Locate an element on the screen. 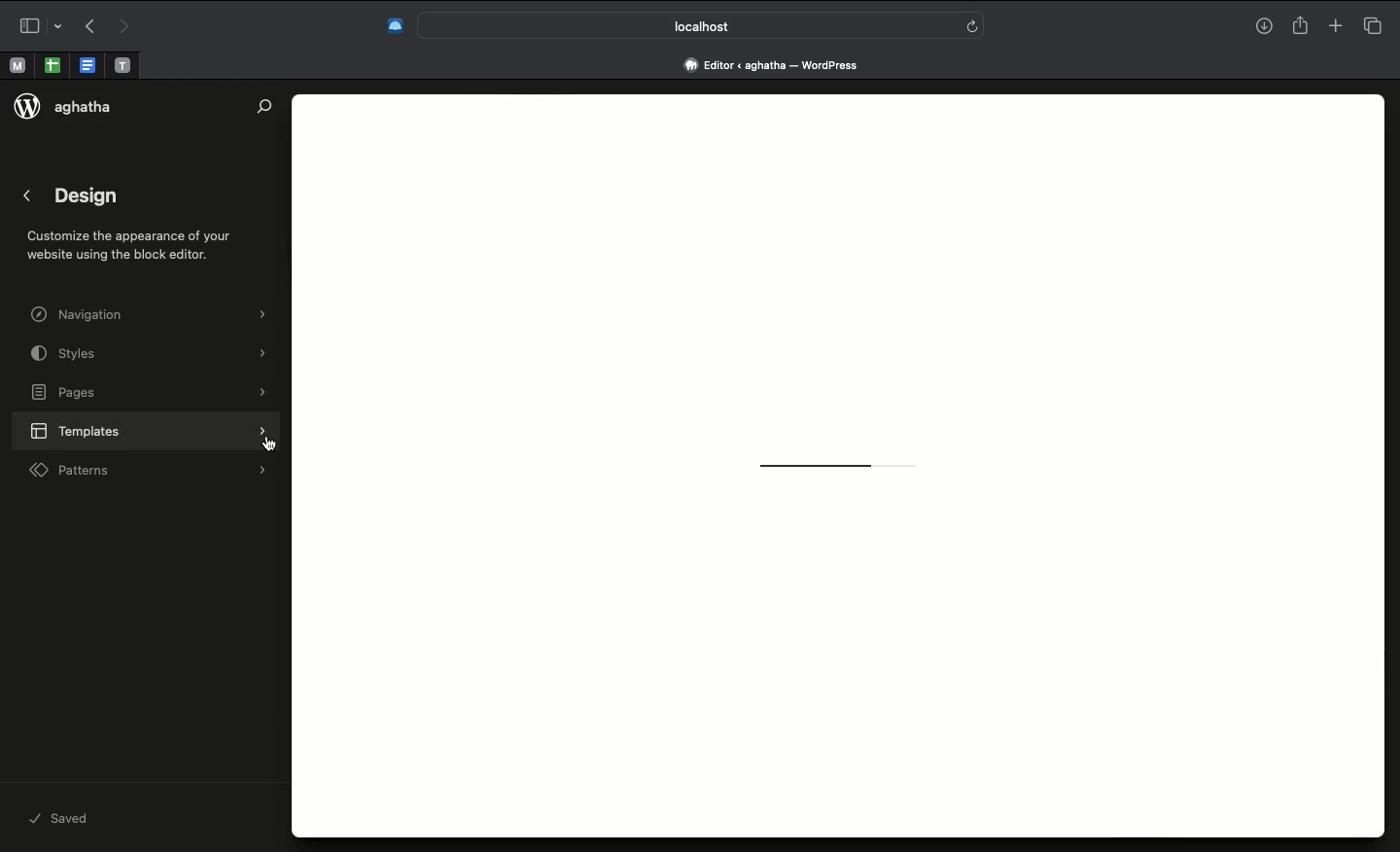  Patterns is located at coordinates (153, 469).